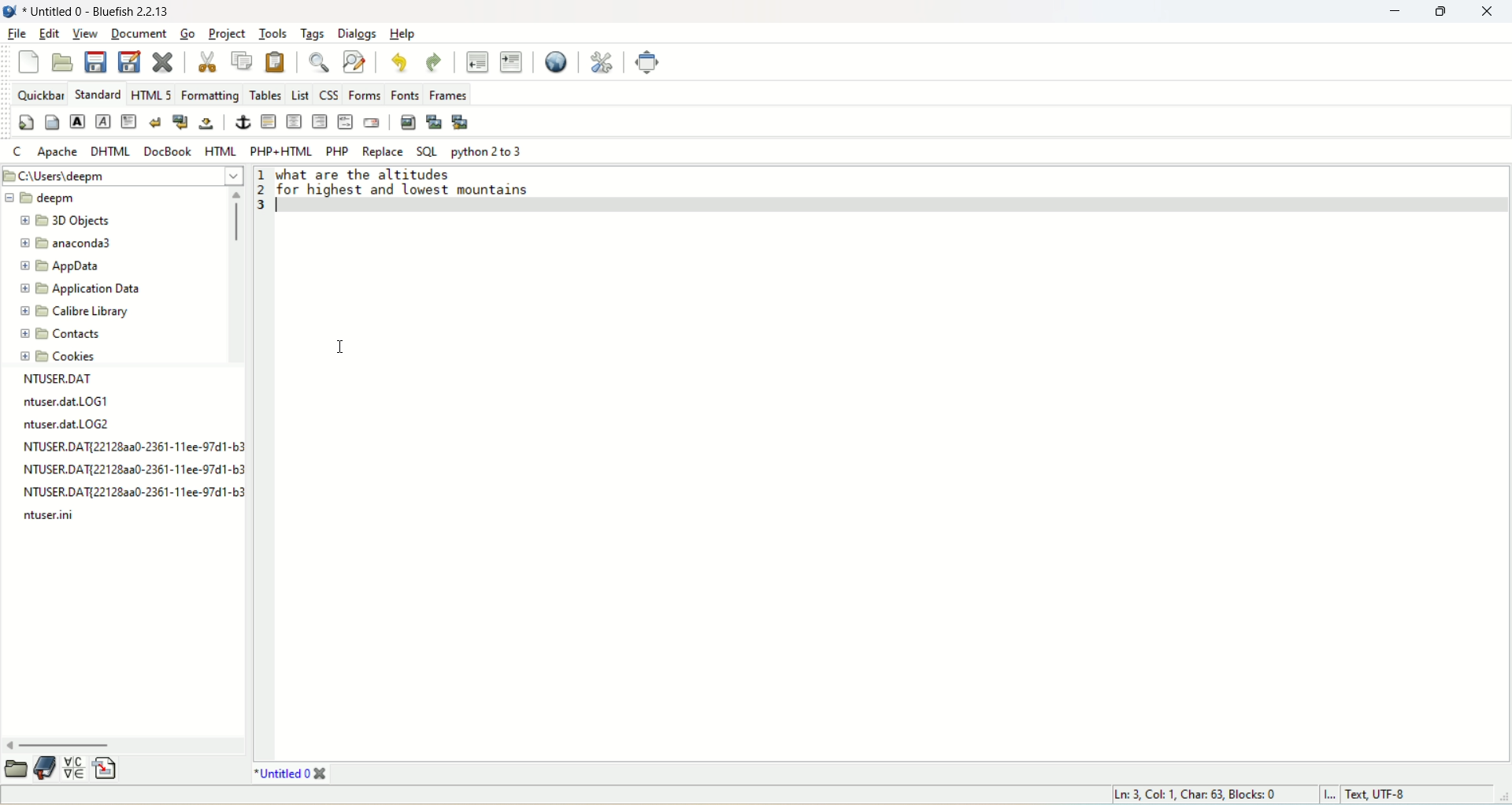 Image resolution: width=1512 pixels, height=805 pixels. Describe the element at coordinates (362, 92) in the screenshot. I see `forms` at that location.